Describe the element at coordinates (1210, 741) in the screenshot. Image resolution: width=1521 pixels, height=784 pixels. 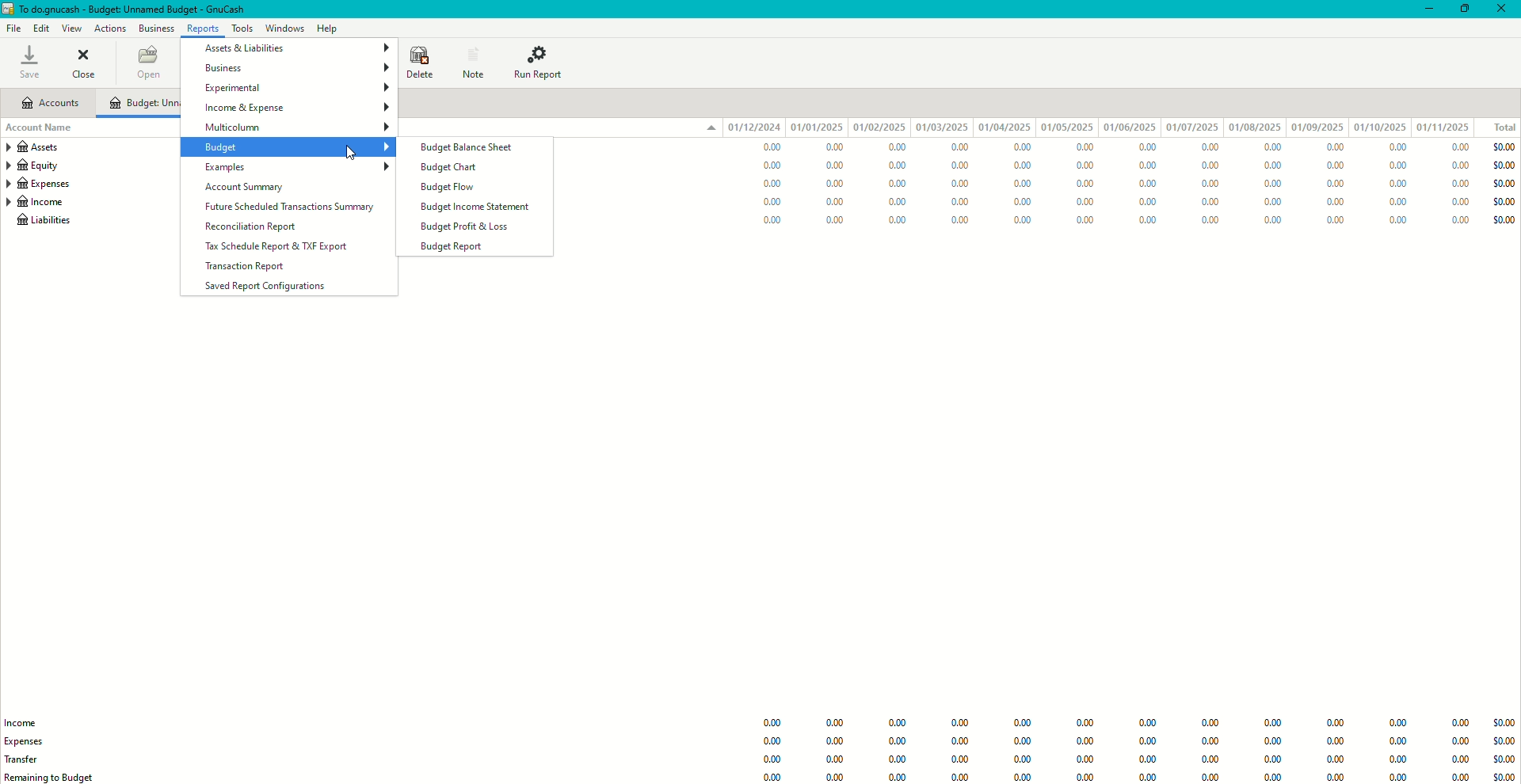
I see `0.00` at that location.